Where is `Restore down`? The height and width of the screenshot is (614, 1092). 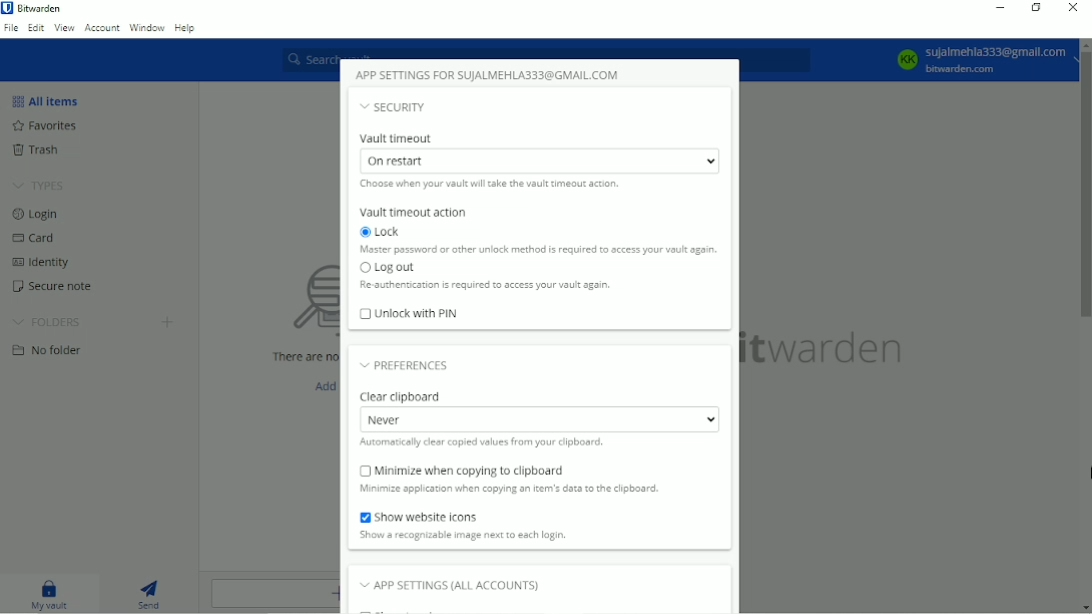
Restore down is located at coordinates (1038, 9).